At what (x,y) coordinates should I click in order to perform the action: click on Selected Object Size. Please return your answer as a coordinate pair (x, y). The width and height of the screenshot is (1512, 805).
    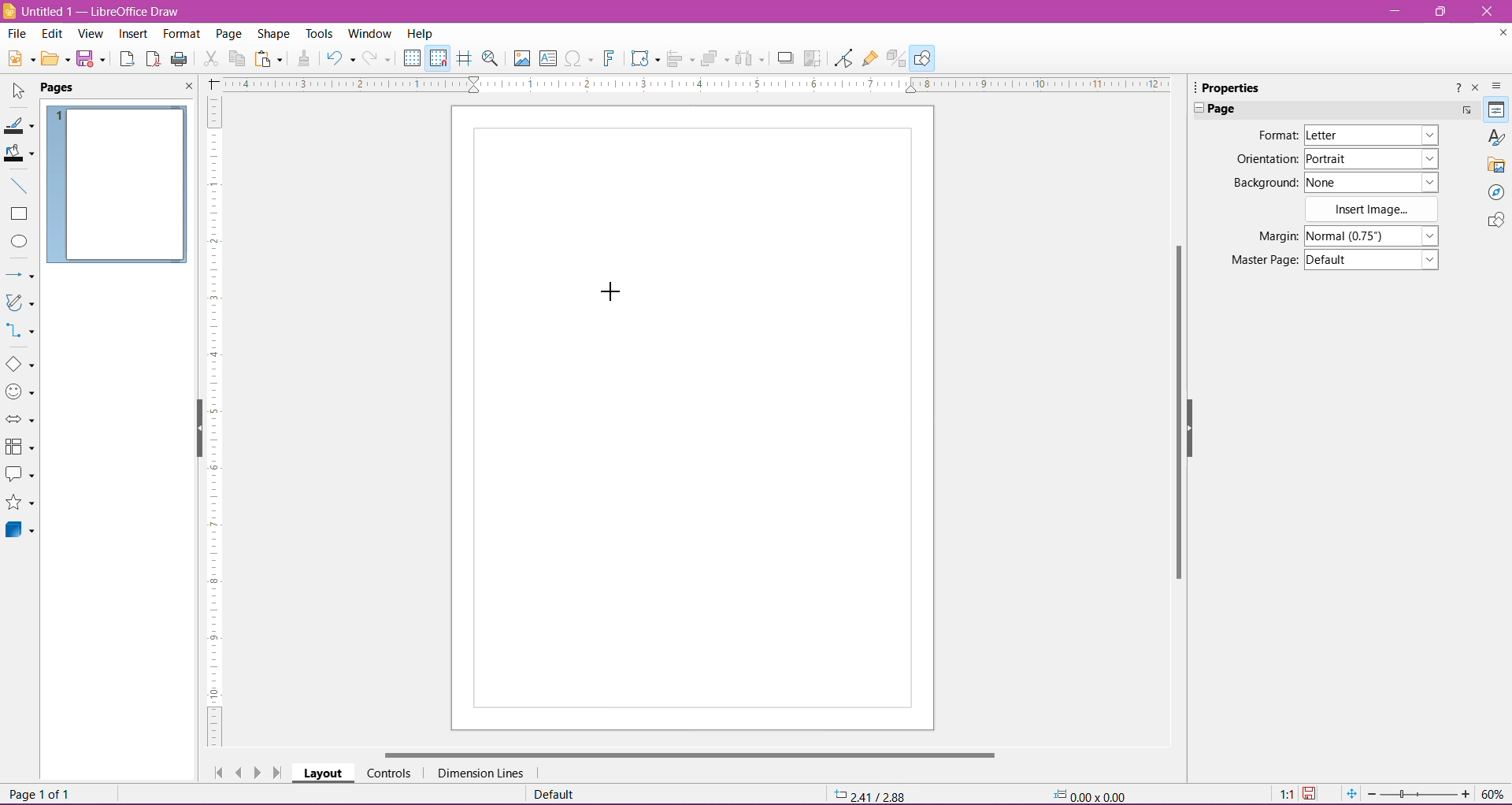
    Looking at the image, I should click on (1088, 793).